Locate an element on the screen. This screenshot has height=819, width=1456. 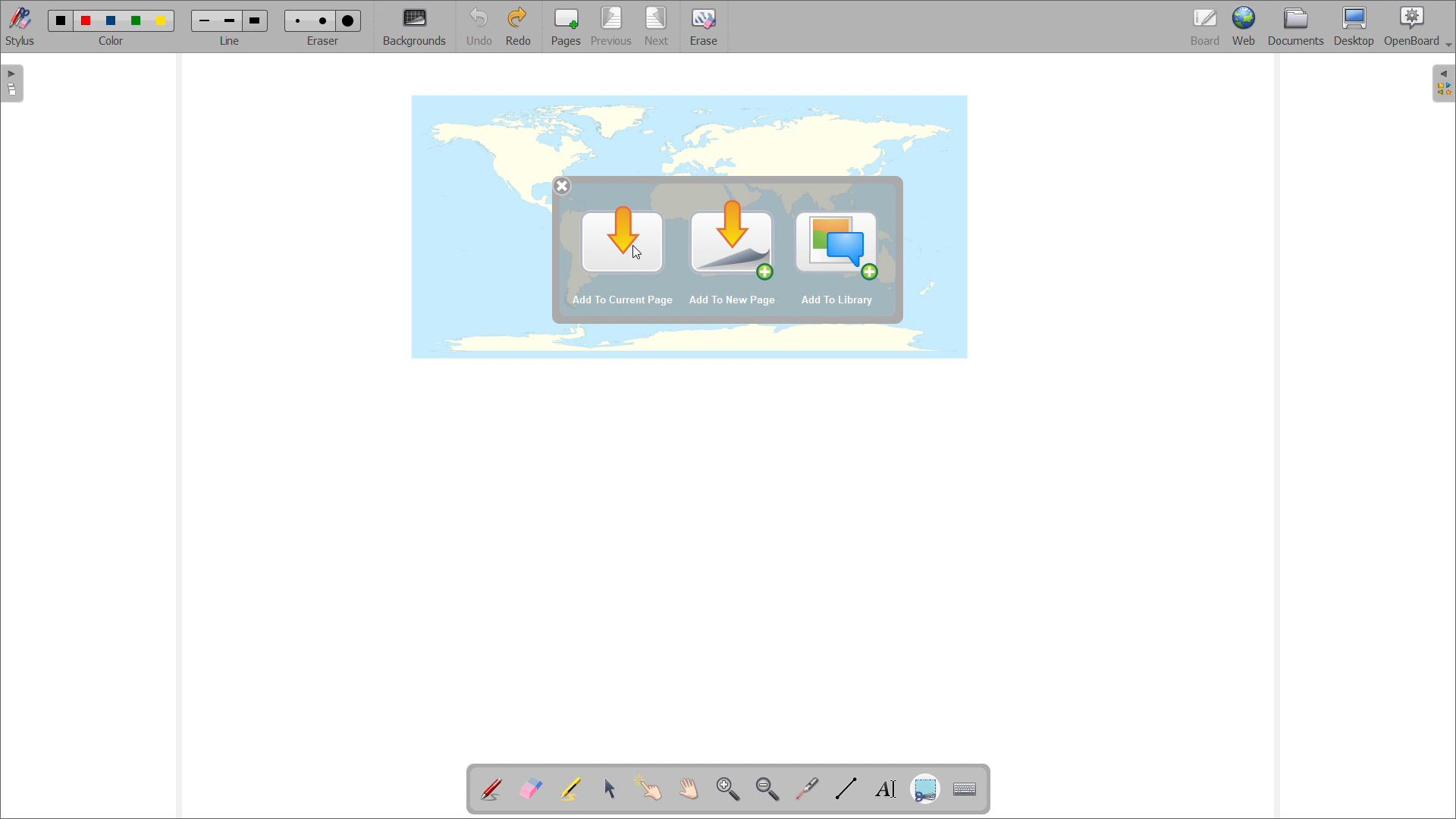
draw lines is located at coordinates (846, 789).